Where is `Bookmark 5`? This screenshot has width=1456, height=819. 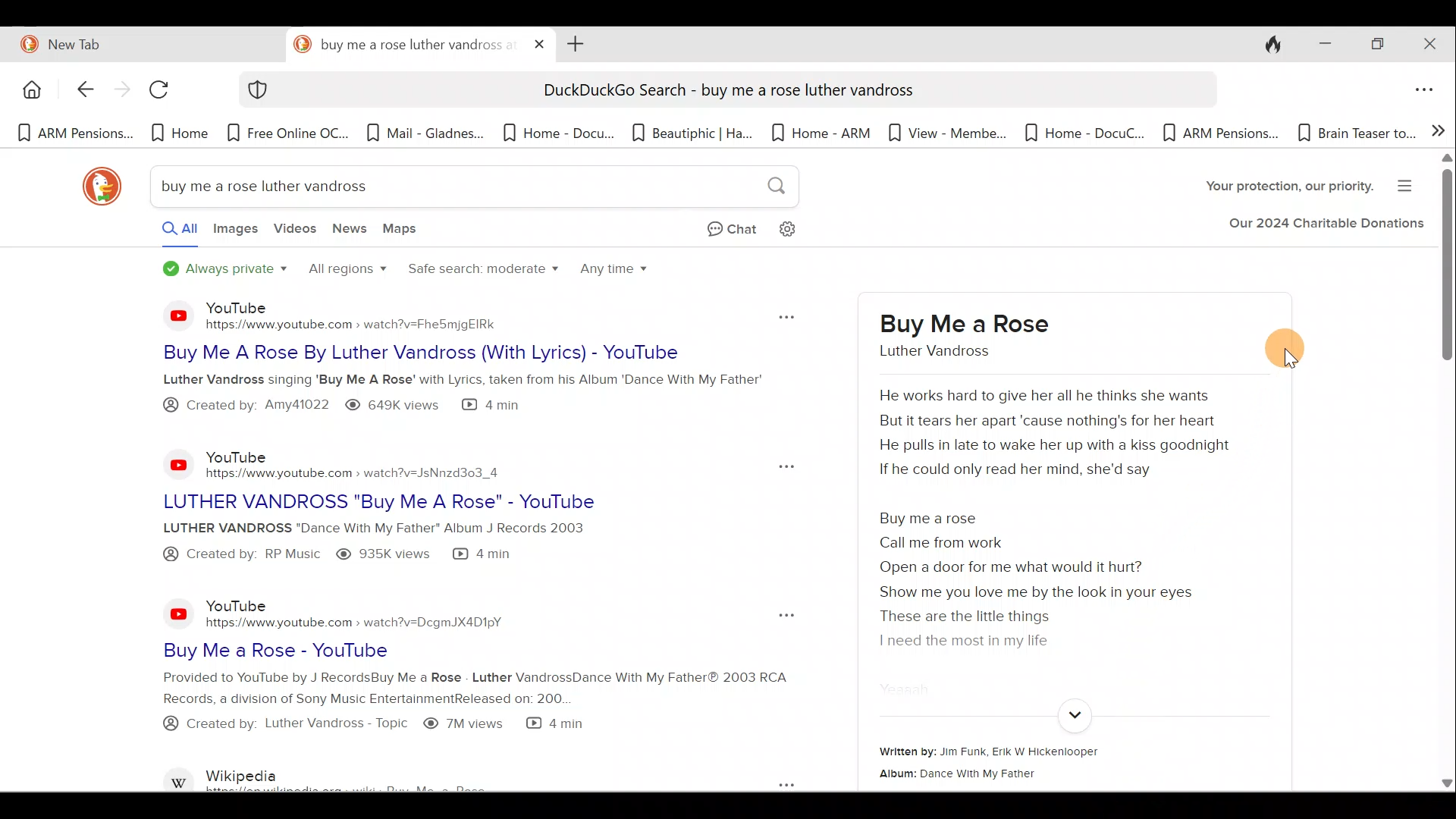
Bookmark 5 is located at coordinates (557, 132).